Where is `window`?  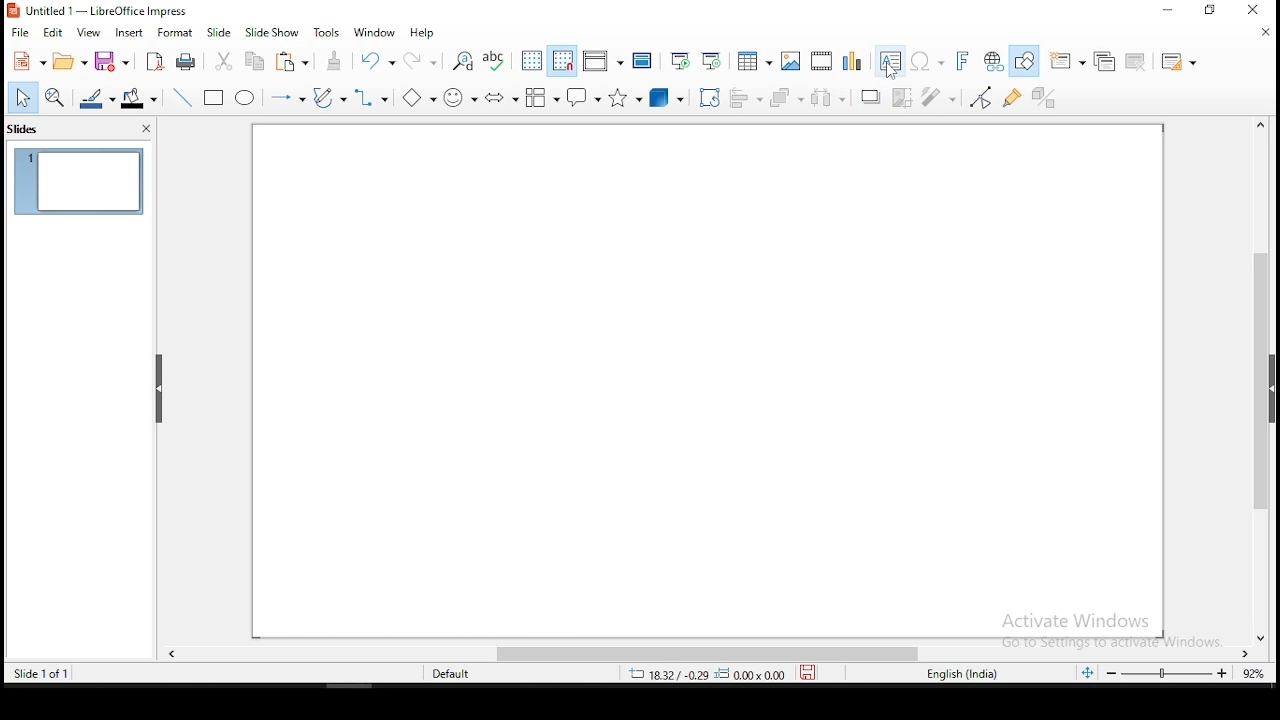 window is located at coordinates (375, 33).